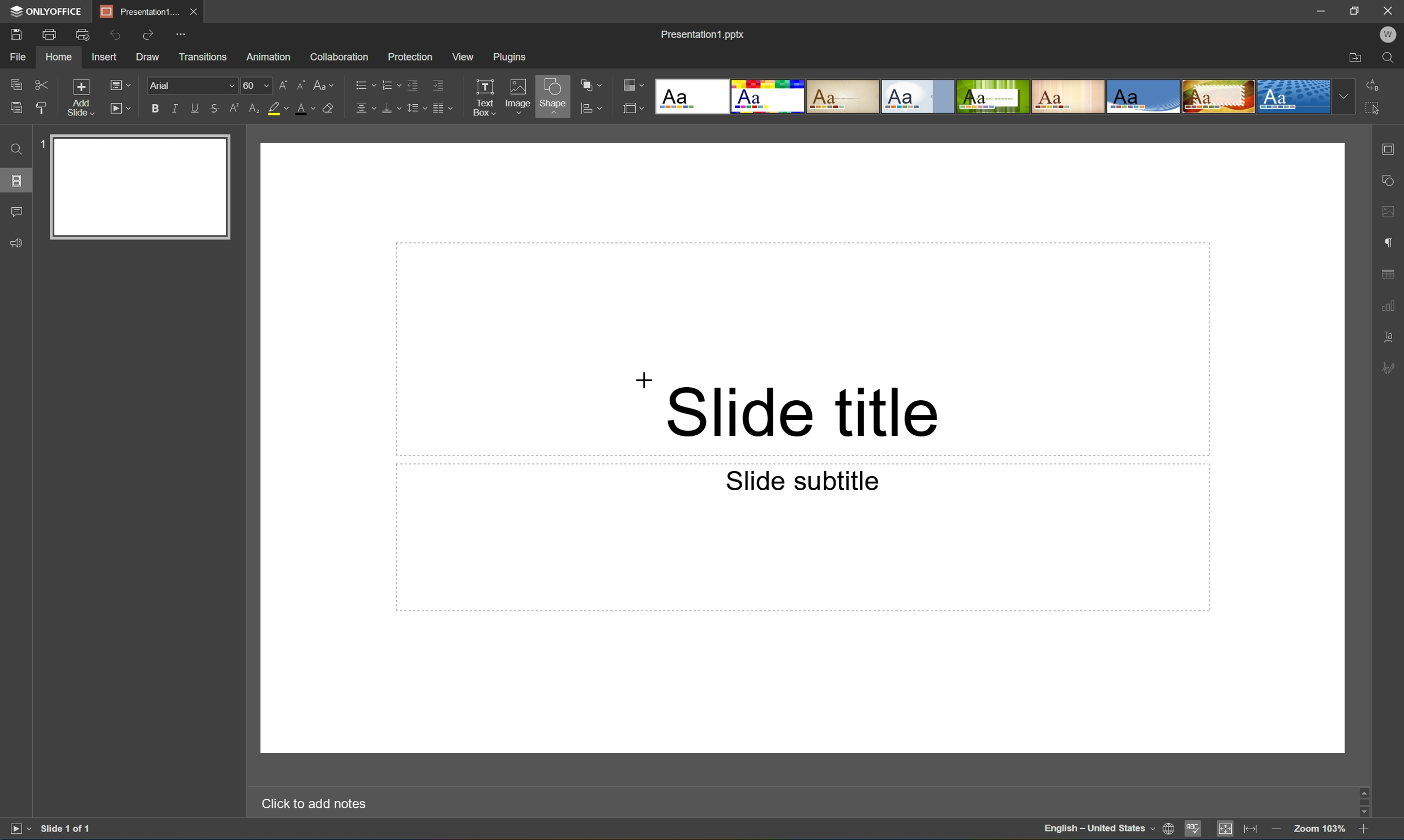  What do you see at coordinates (1228, 832) in the screenshot?
I see `Fit to slide` at bounding box center [1228, 832].